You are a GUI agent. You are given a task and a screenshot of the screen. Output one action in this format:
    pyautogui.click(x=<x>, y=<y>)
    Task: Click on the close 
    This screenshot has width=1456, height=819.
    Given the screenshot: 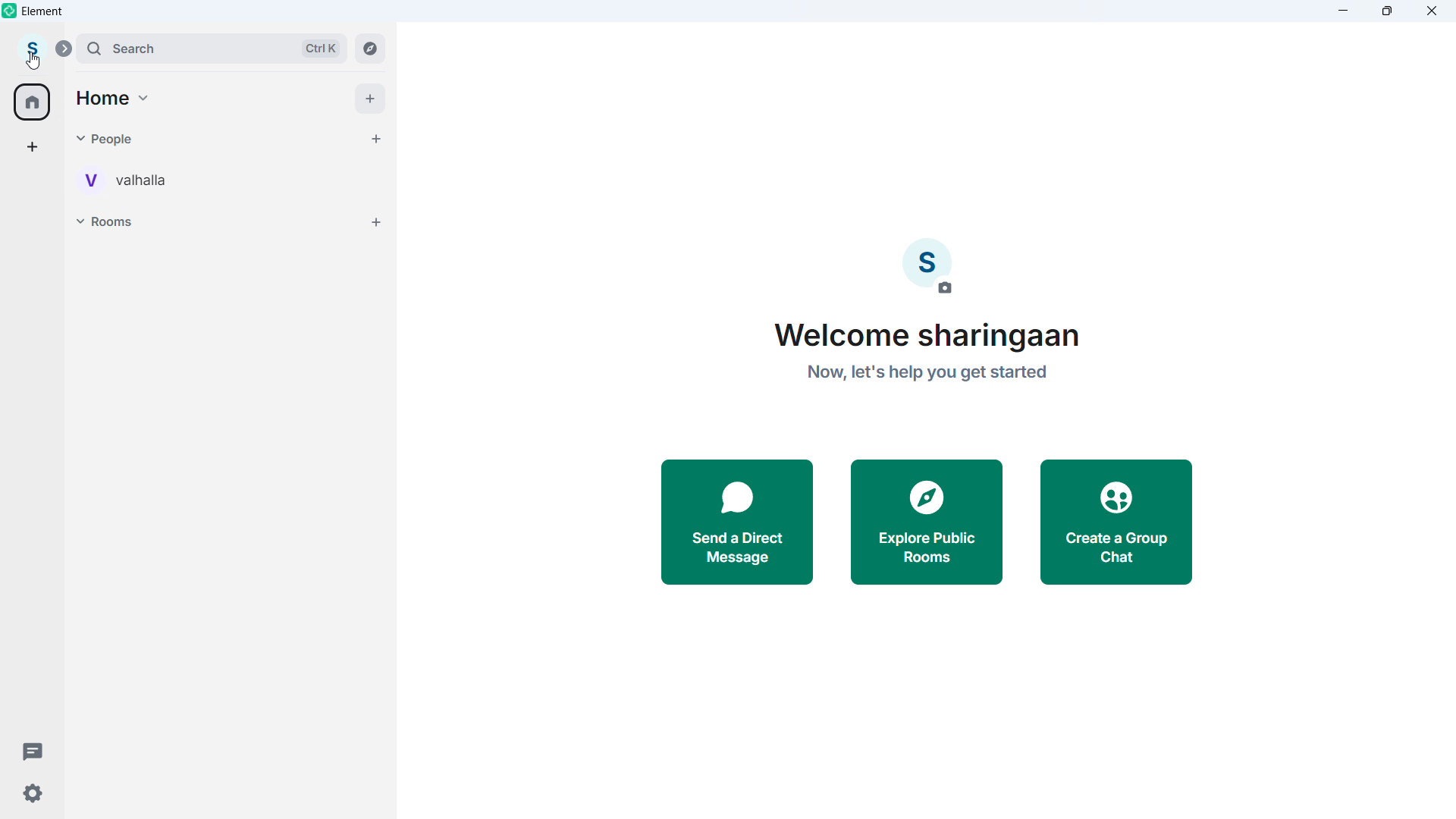 What is the action you would take?
    pyautogui.click(x=1431, y=11)
    